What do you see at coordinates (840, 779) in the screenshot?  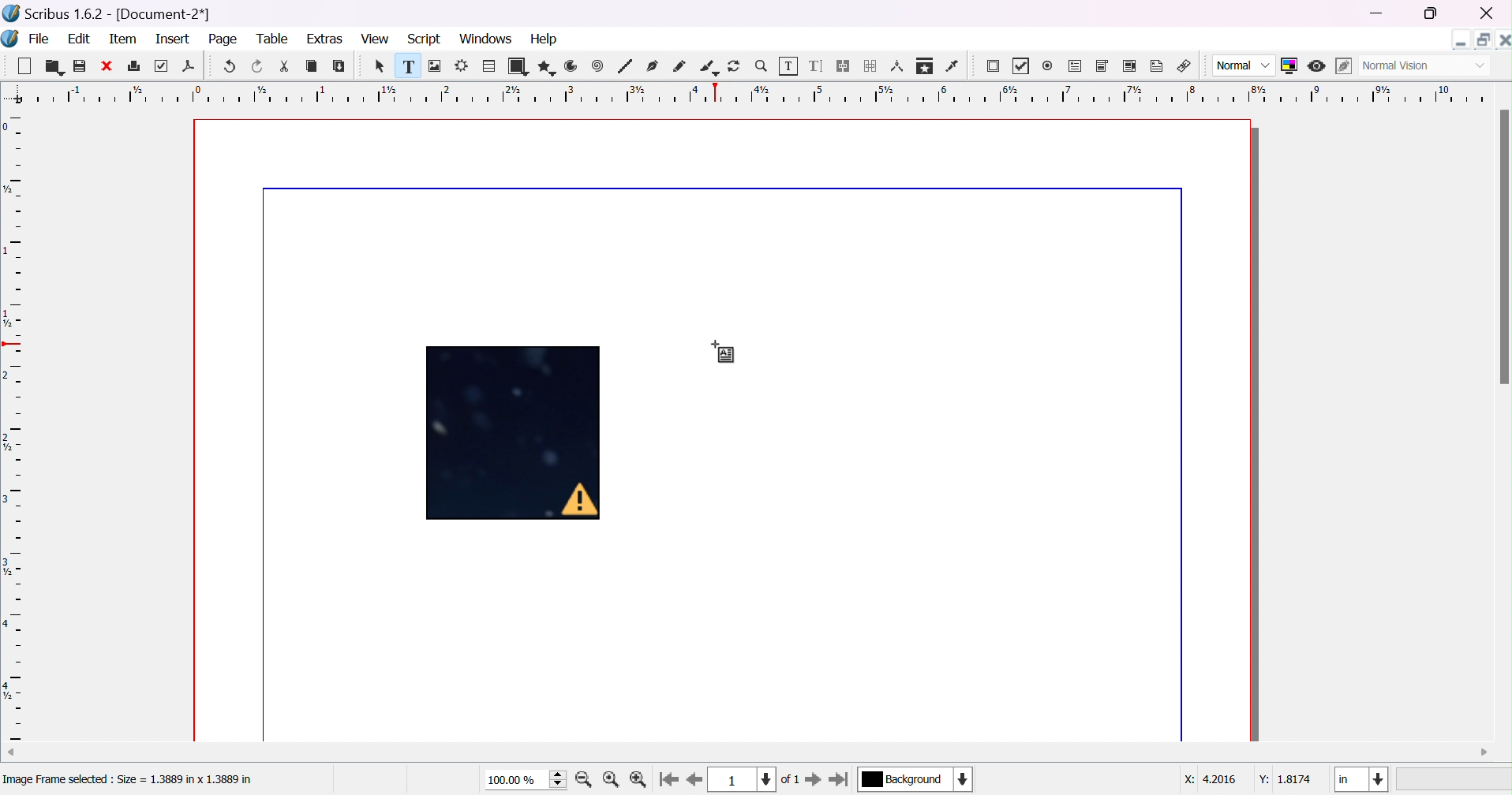 I see `go to last page` at bounding box center [840, 779].